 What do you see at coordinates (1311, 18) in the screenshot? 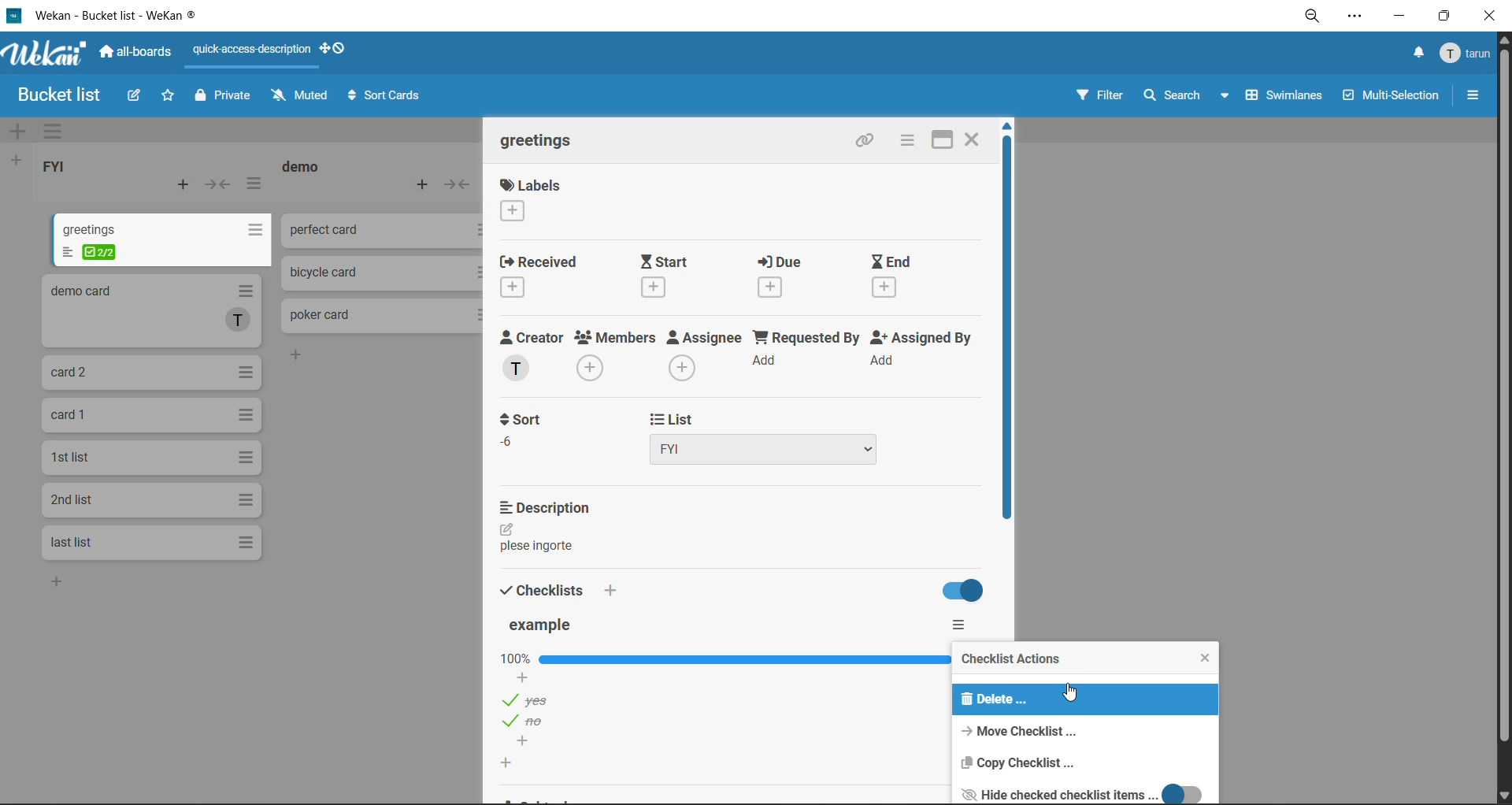
I see `zoom` at bounding box center [1311, 18].